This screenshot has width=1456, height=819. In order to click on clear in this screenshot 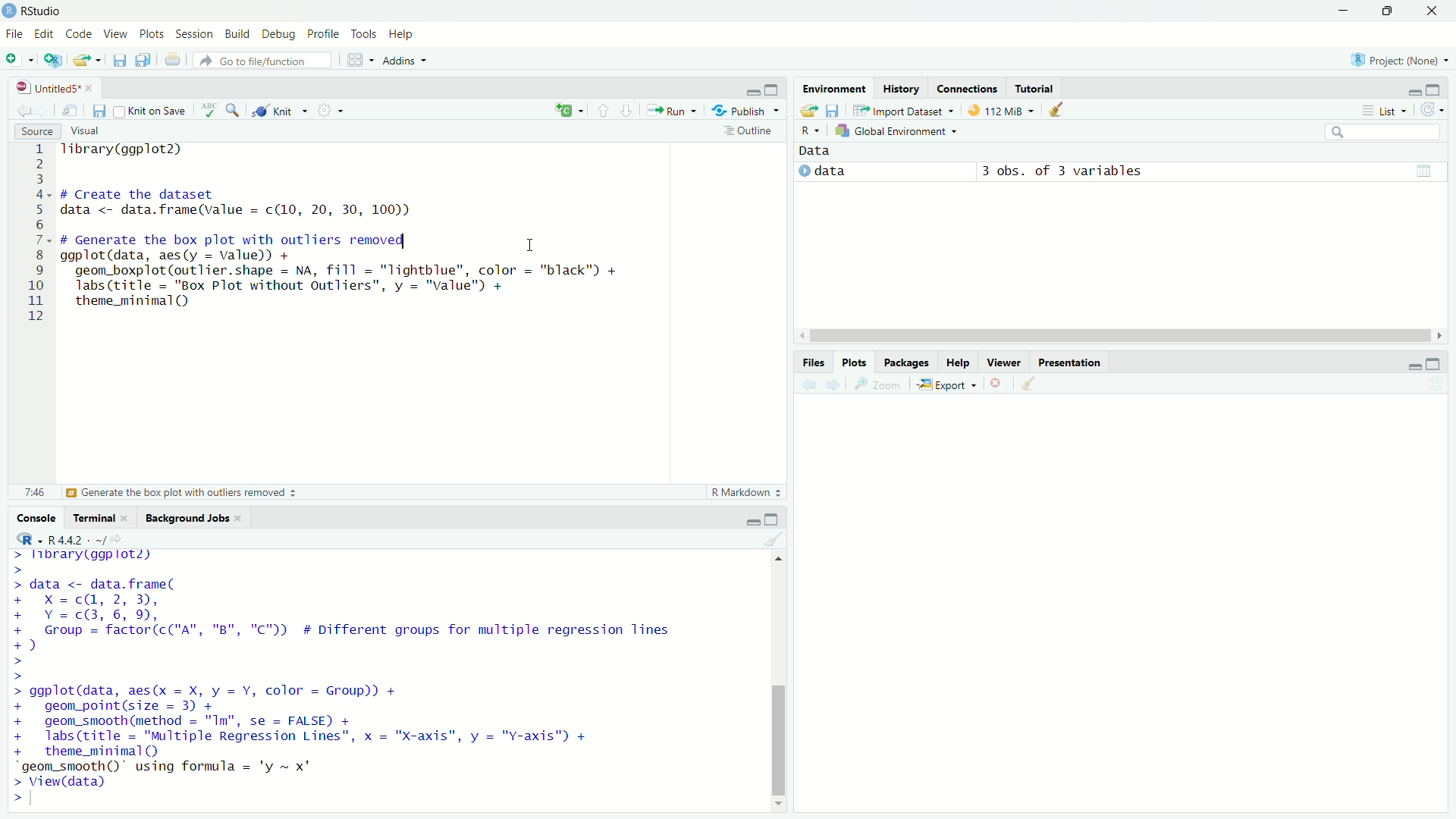, I will do `click(1023, 382)`.